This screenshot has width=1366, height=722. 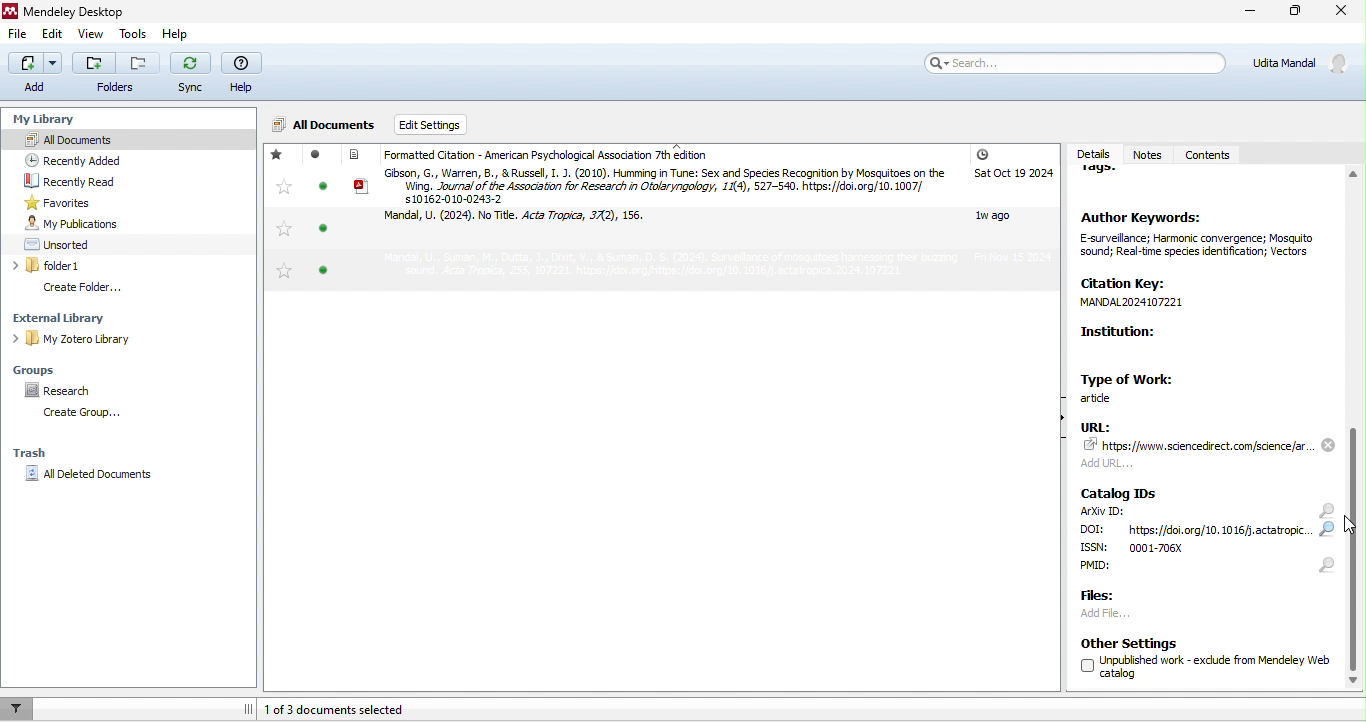 What do you see at coordinates (1329, 538) in the screenshot?
I see `search` at bounding box center [1329, 538].